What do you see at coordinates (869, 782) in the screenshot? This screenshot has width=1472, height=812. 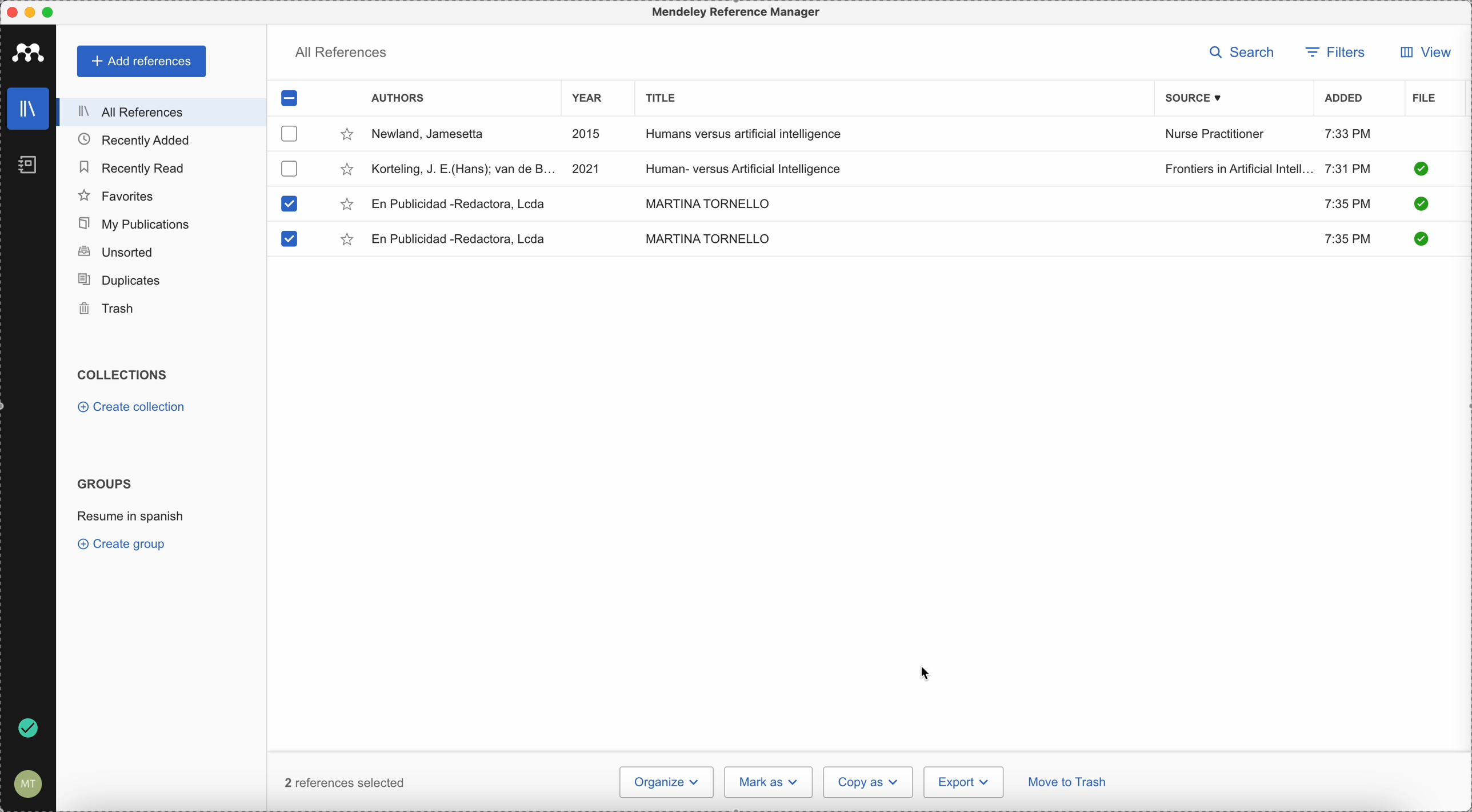 I see `copy as` at bounding box center [869, 782].